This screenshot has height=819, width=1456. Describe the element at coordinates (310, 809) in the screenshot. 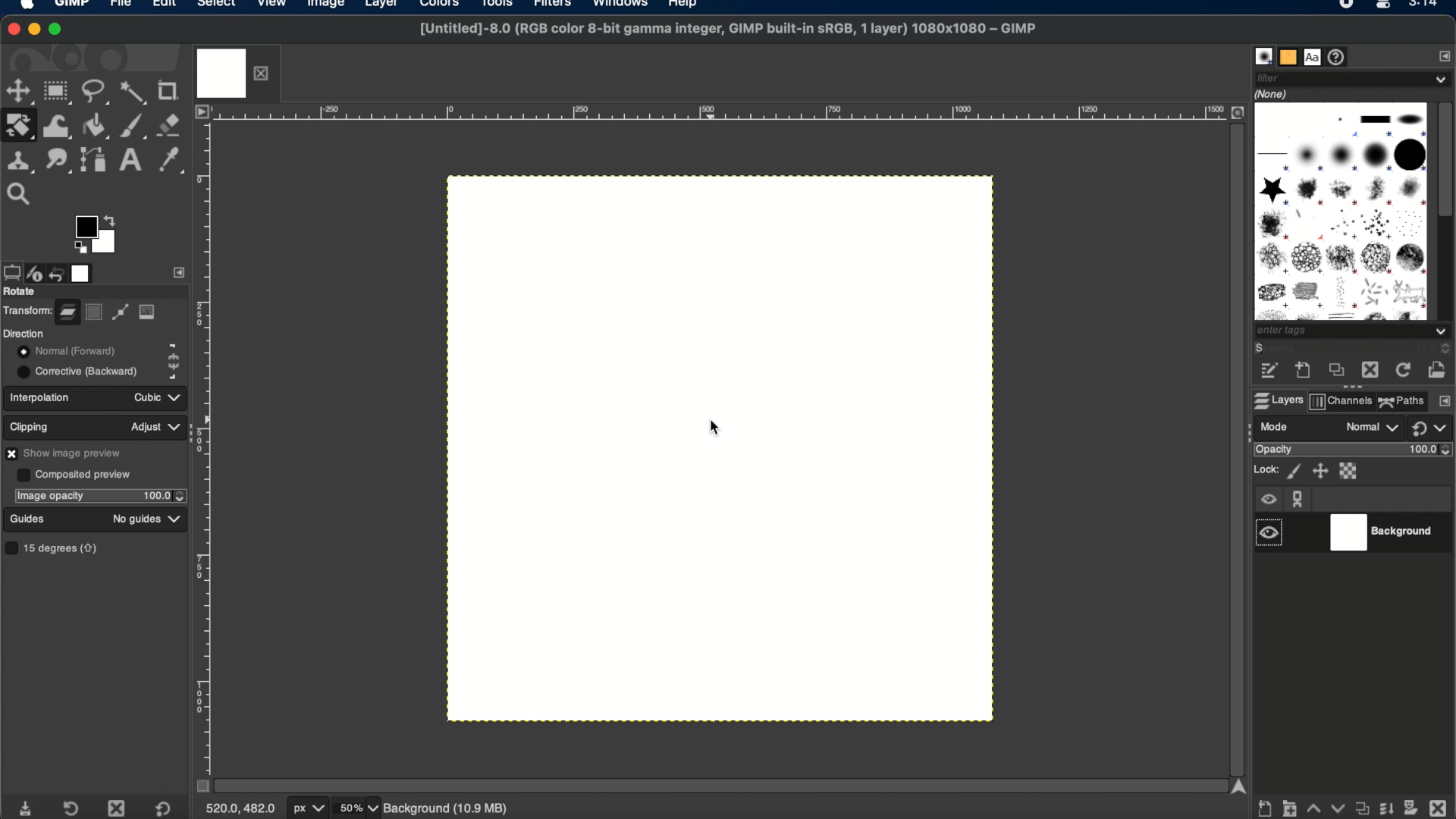

I see `units of measurement` at that location.